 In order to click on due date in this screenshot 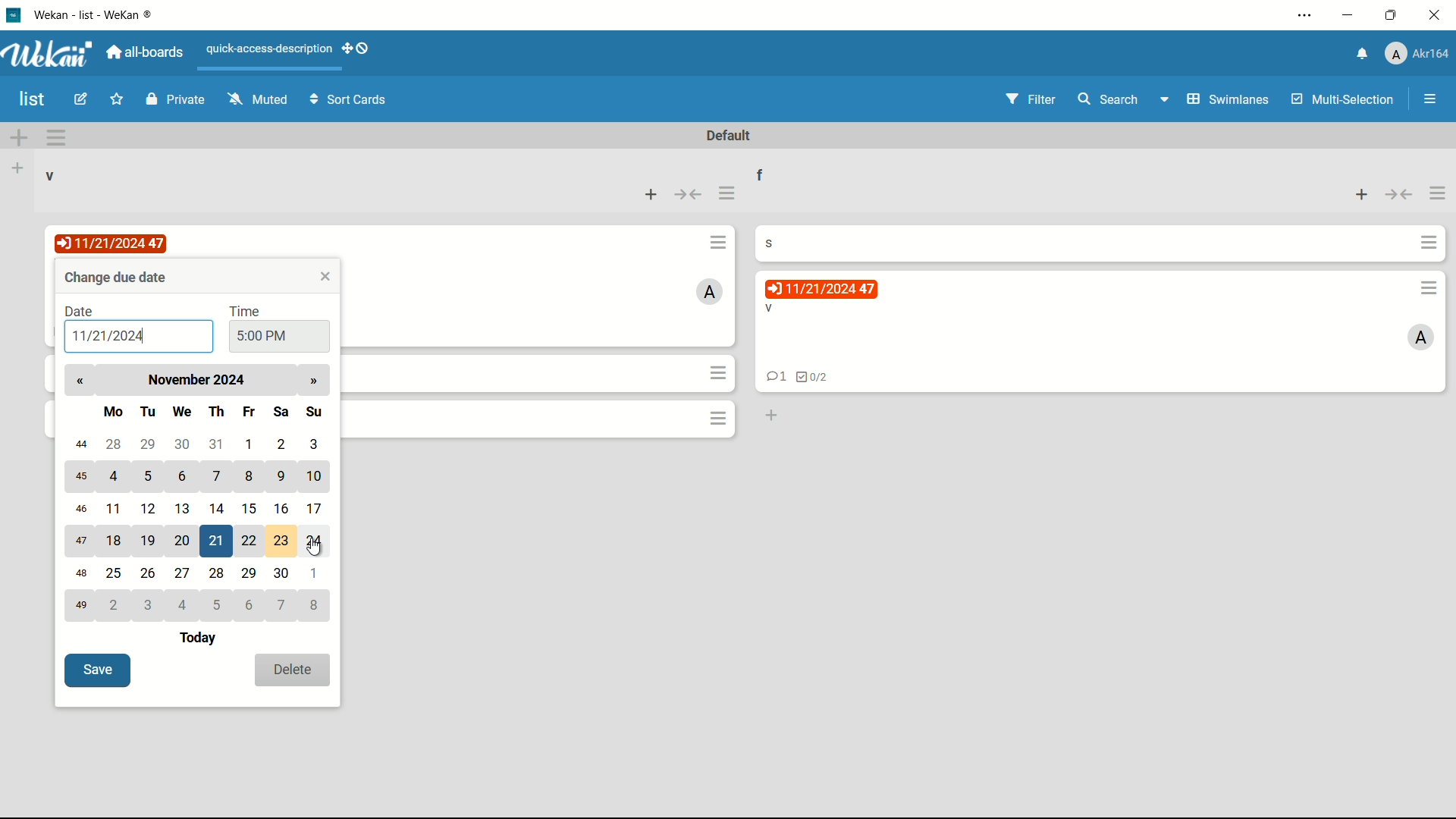, I will do `click(113, 243)`.